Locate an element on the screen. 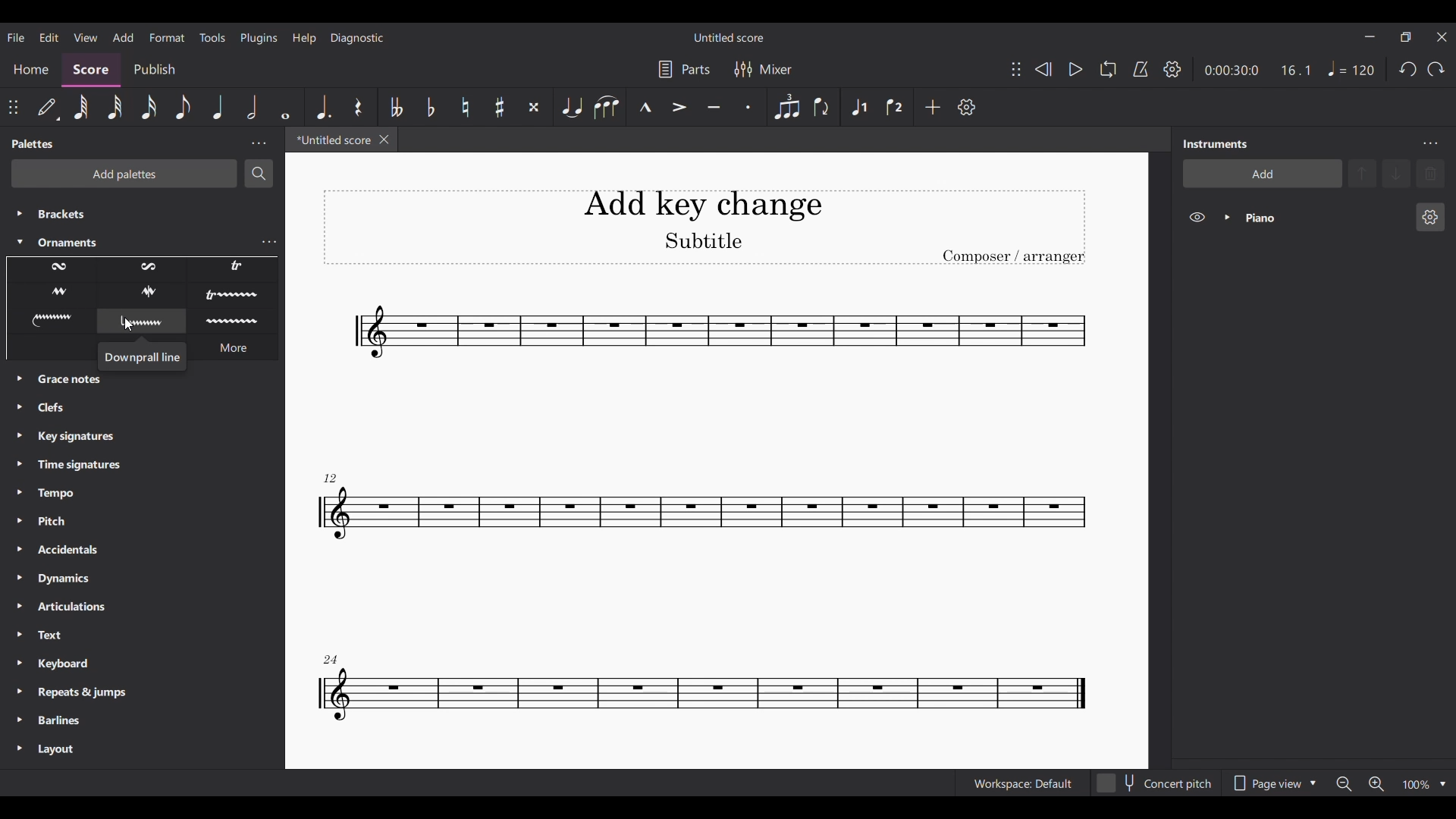 This screenshot has width=1456, height=819. Add instrument is located at coordinates (1263, 174).